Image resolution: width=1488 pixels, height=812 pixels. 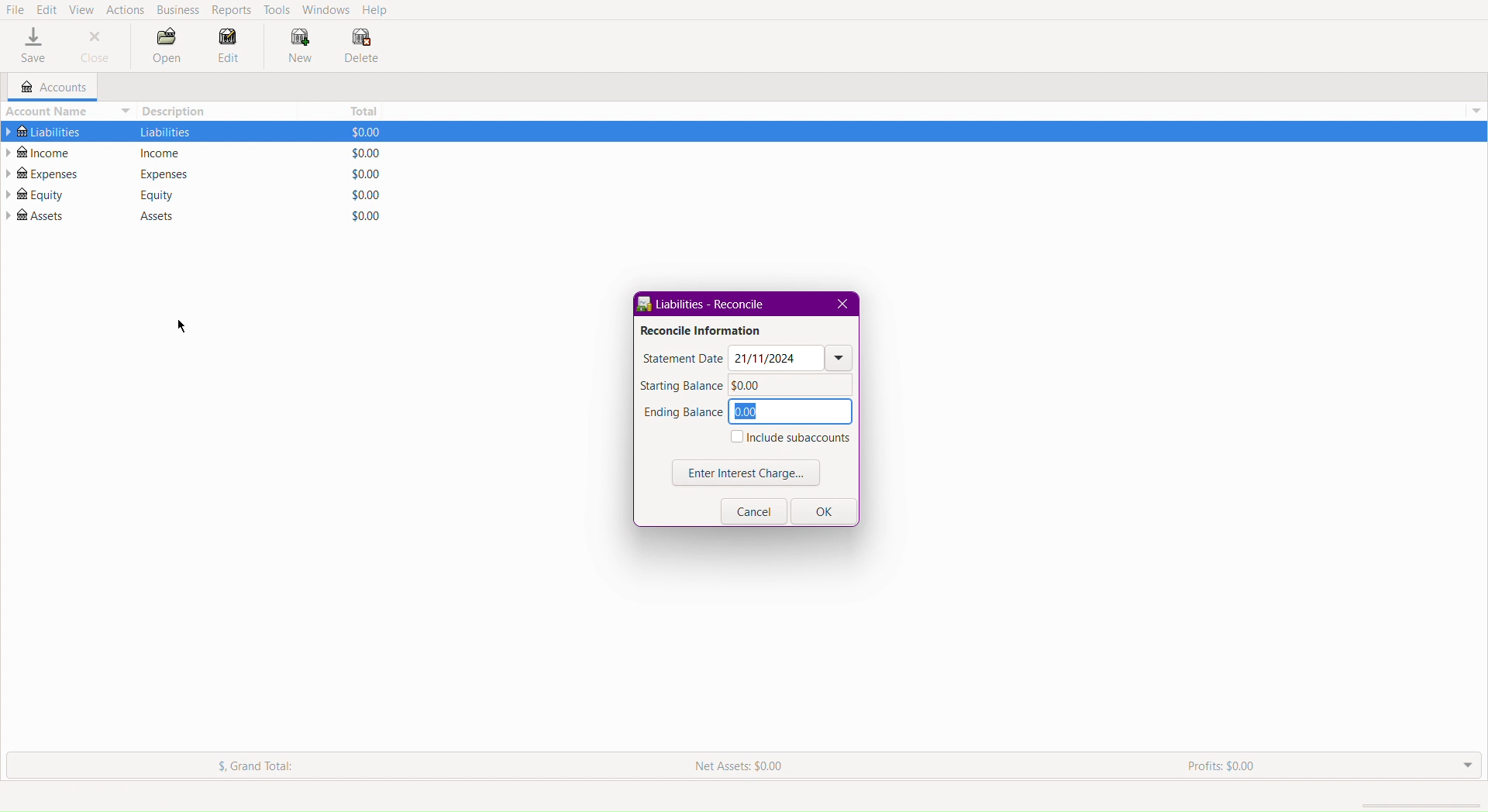 What do you see at coordinates (14, 10) in the screenshot?
I see `File` at bounding box center [14, 10].